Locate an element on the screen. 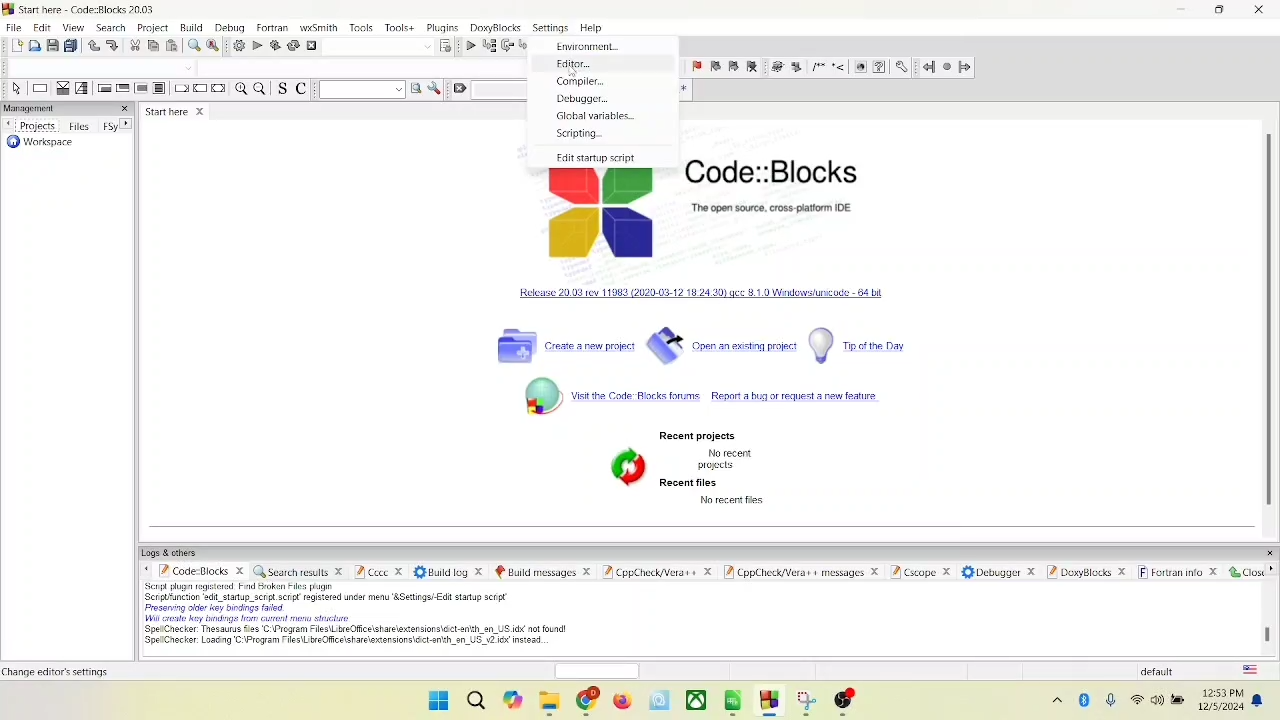 The width and height of the screenshot is (1280, 720). cppcheck/vera++ is located at coordinates (657, 571).